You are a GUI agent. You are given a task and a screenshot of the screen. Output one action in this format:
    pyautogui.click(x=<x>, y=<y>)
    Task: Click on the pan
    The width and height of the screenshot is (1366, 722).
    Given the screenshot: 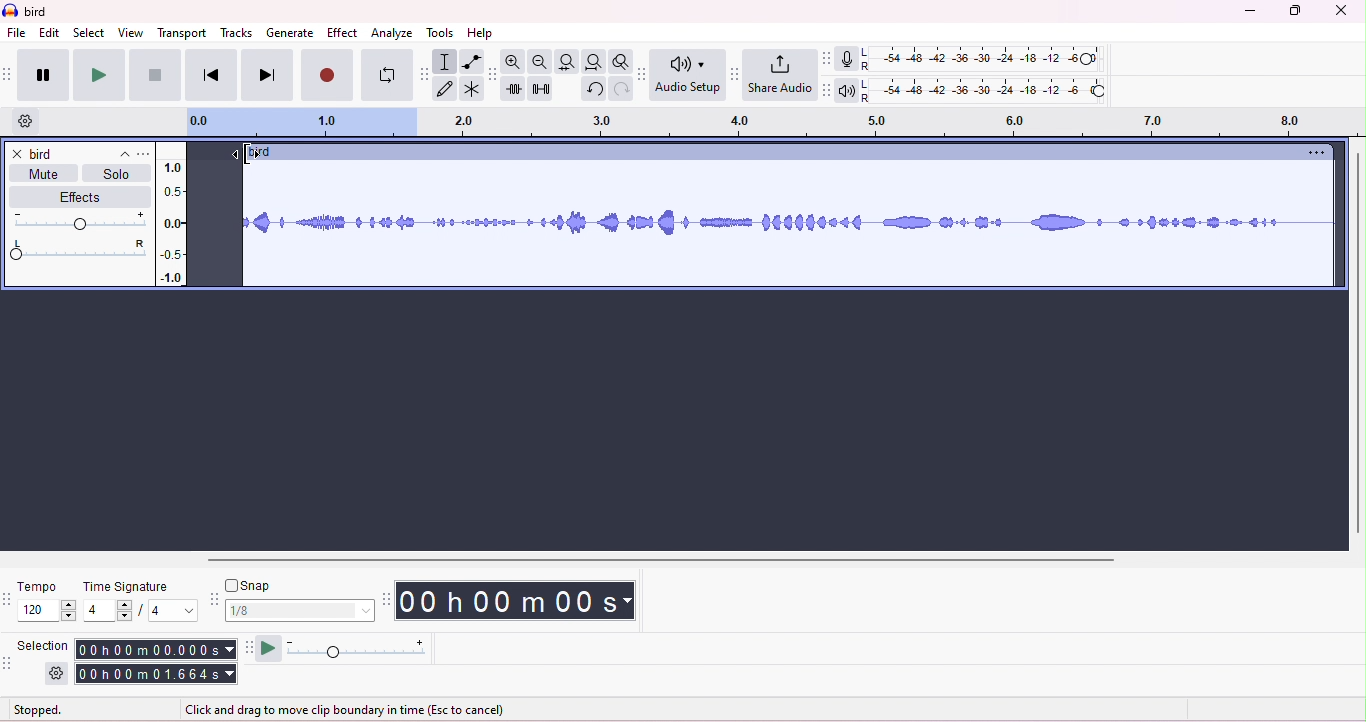 What is the action you would take?
    pyautogui.click(x=79, y=250)
    